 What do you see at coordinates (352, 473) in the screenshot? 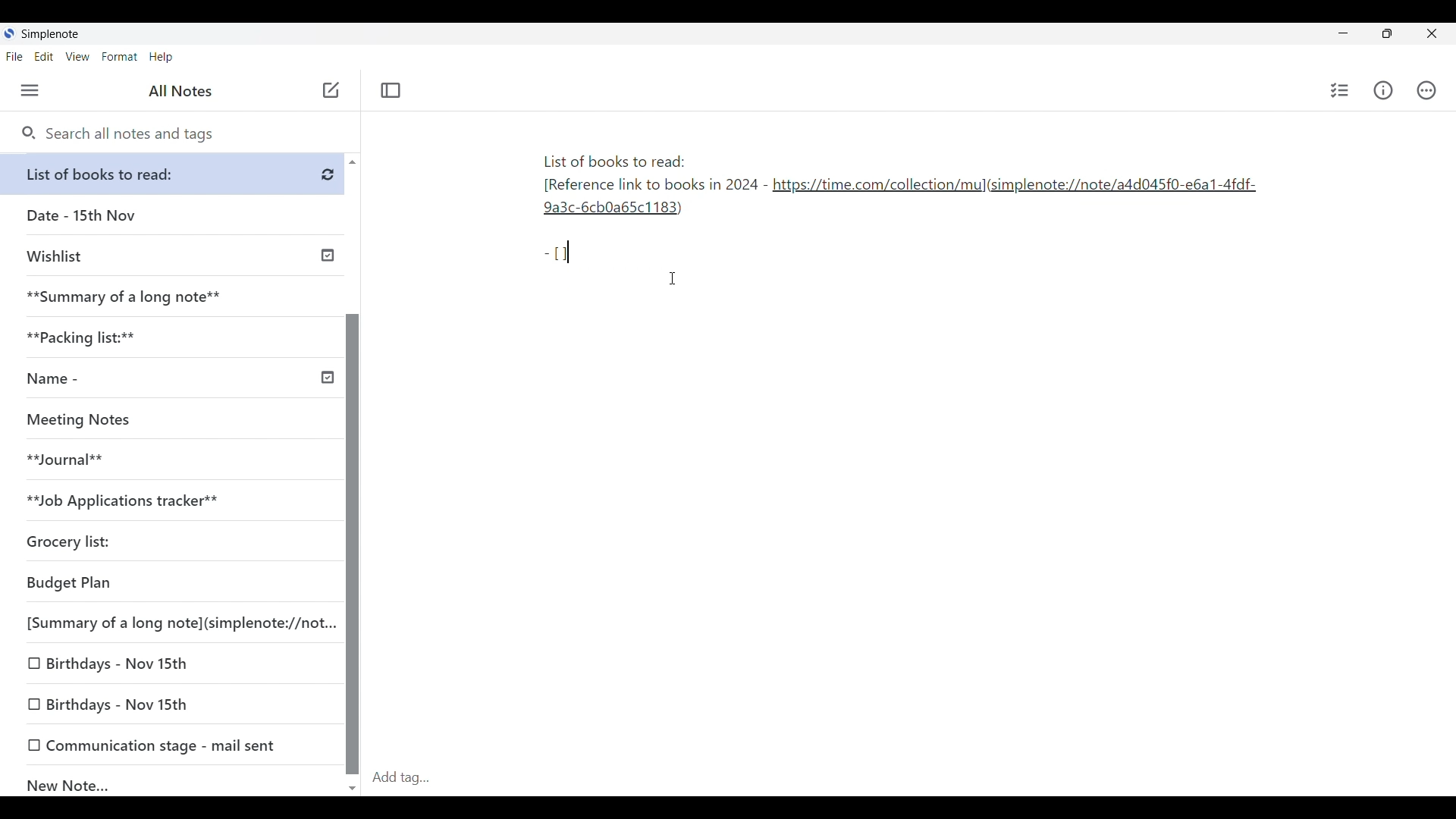
I see `Vertical scroll bar` at bounding box center [352, 473].